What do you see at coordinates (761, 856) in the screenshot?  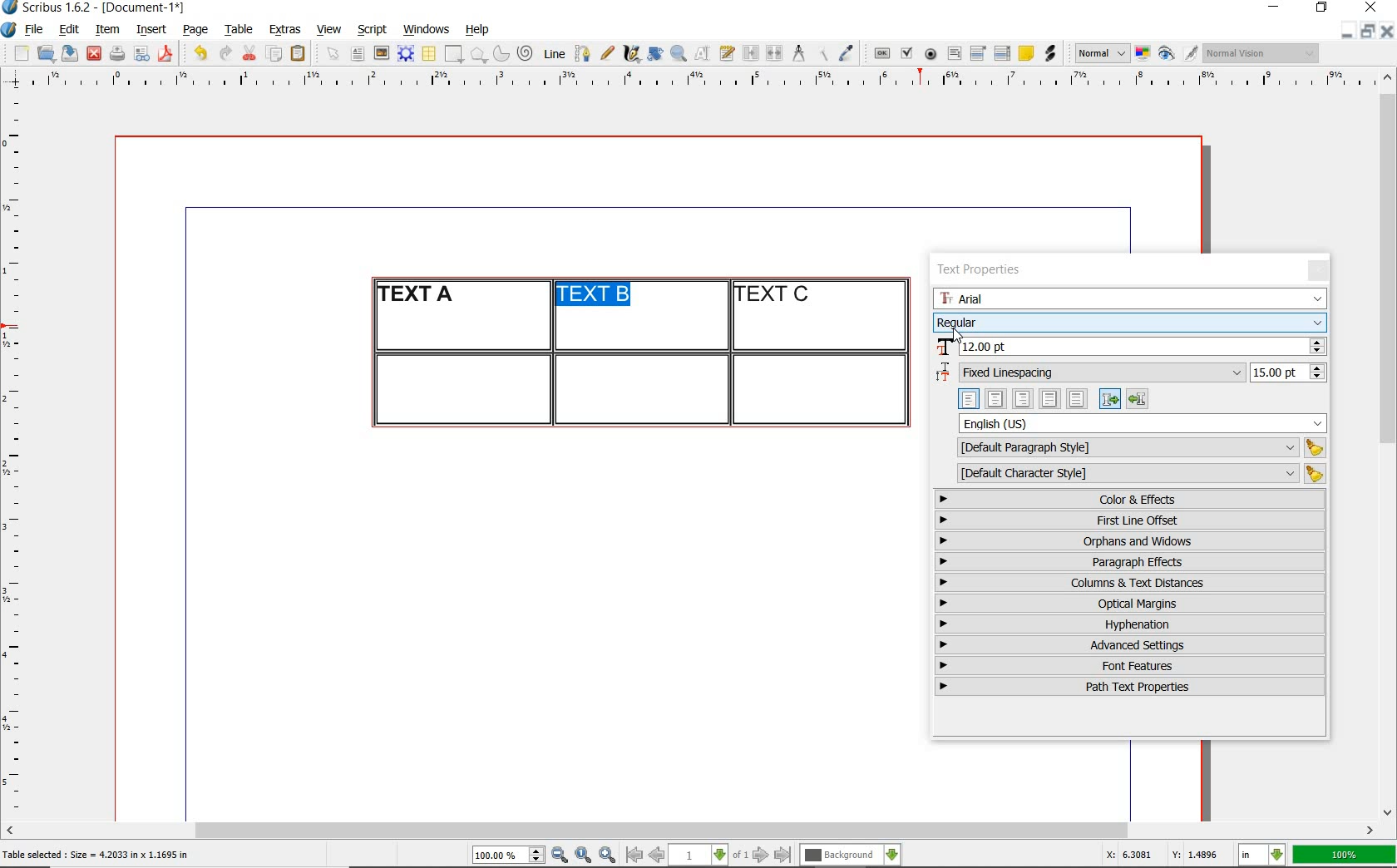 I see `go to next page` at bounding box center [761, 856].